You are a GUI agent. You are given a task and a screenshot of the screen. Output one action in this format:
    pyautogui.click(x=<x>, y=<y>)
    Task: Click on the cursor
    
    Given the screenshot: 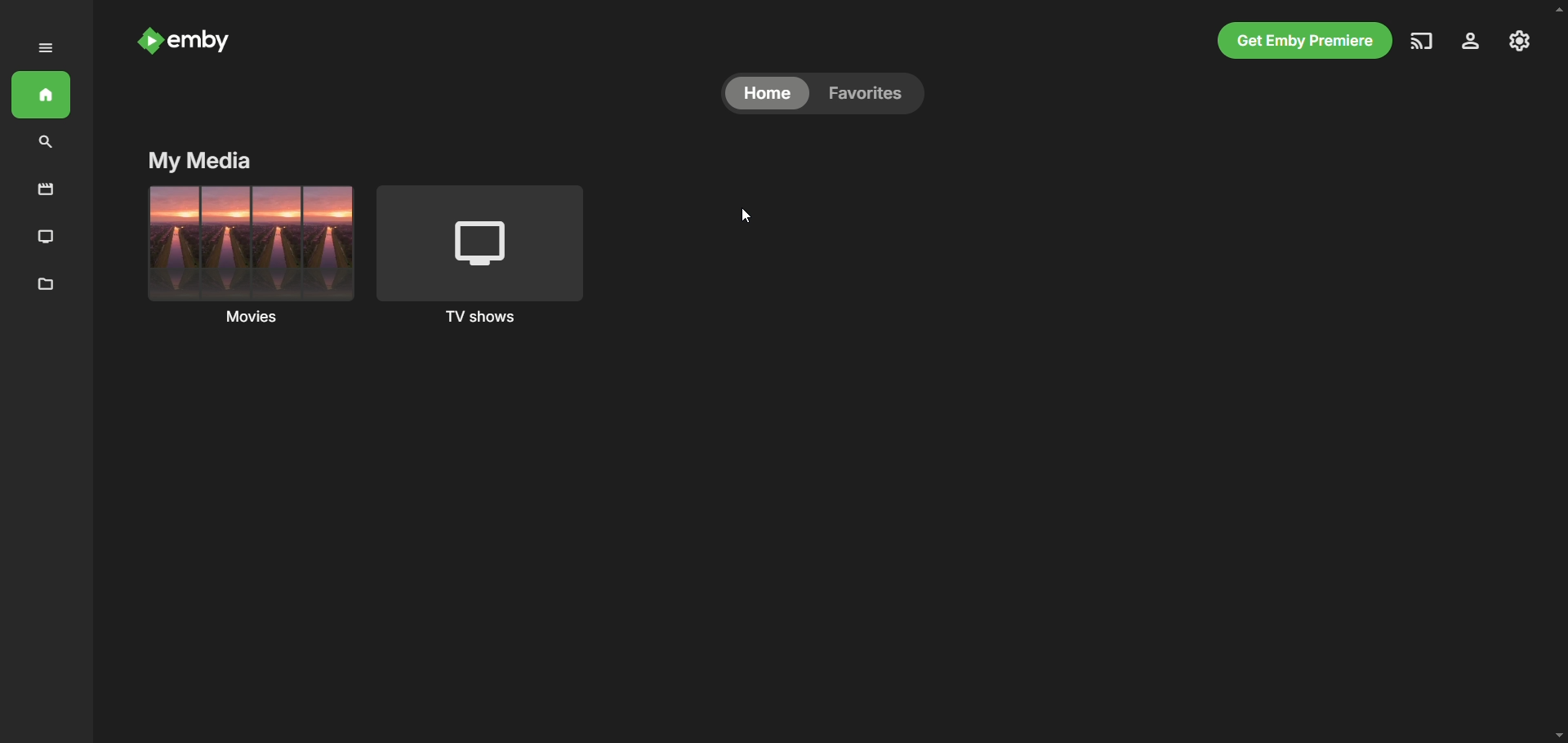 What is the action you would take?
    pyautogui.click(x=751, y=220)
    